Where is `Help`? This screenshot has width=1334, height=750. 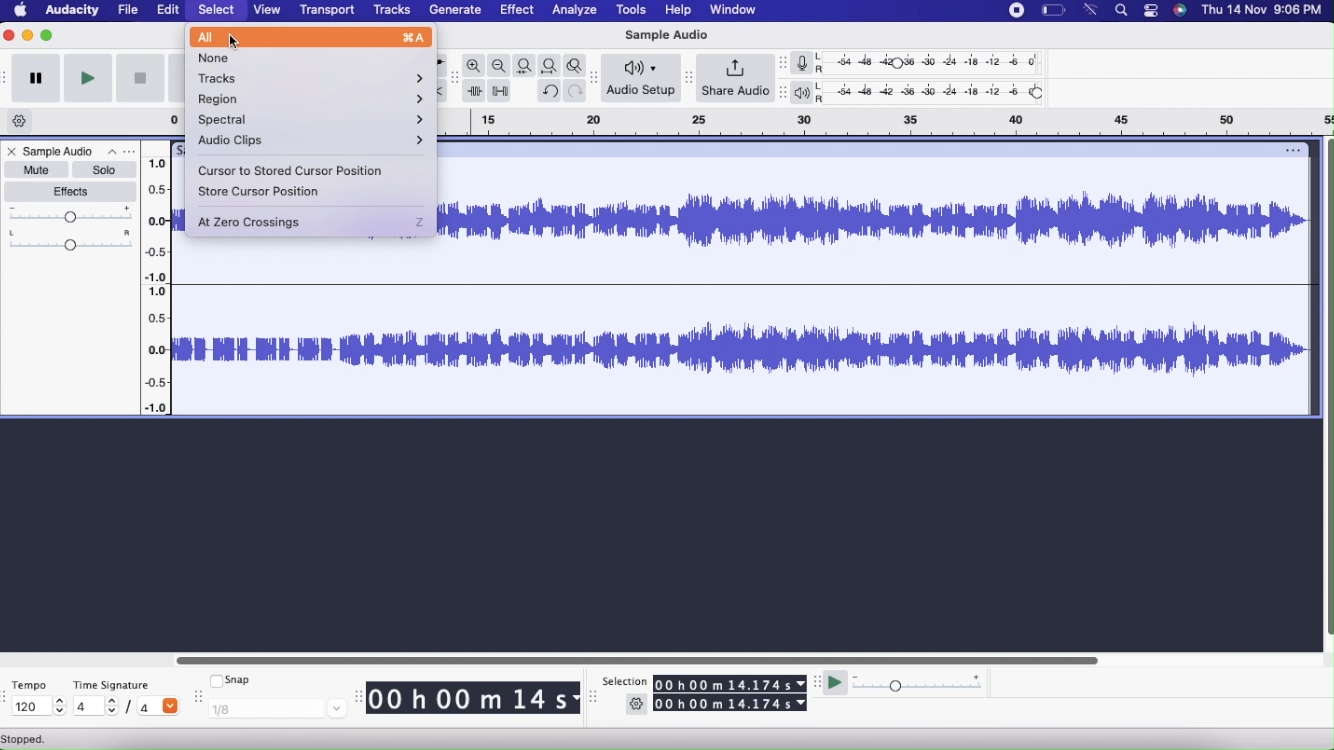 Help is located at coordinates (679, 10).